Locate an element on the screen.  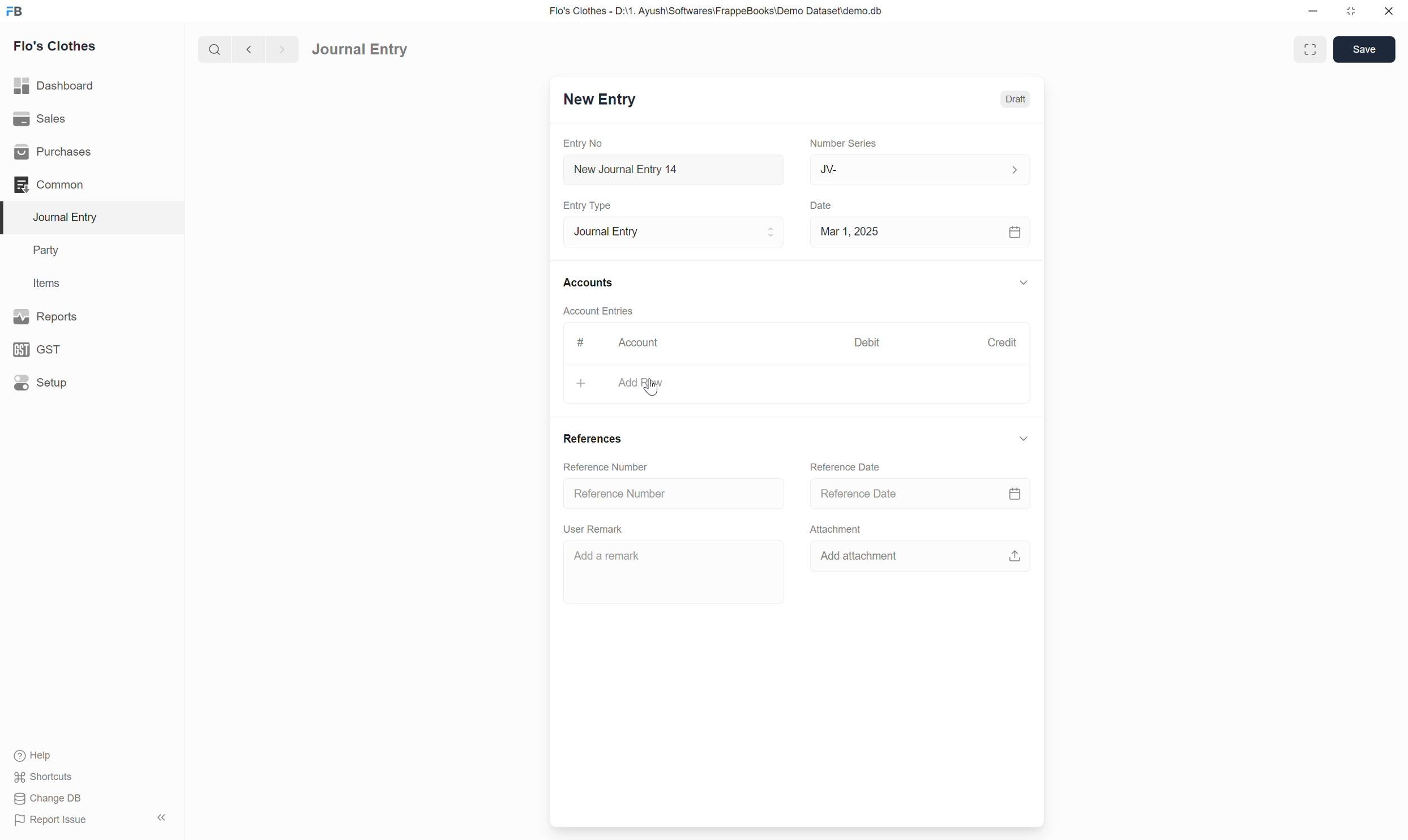
reference date is located at coordinates (896, 492).